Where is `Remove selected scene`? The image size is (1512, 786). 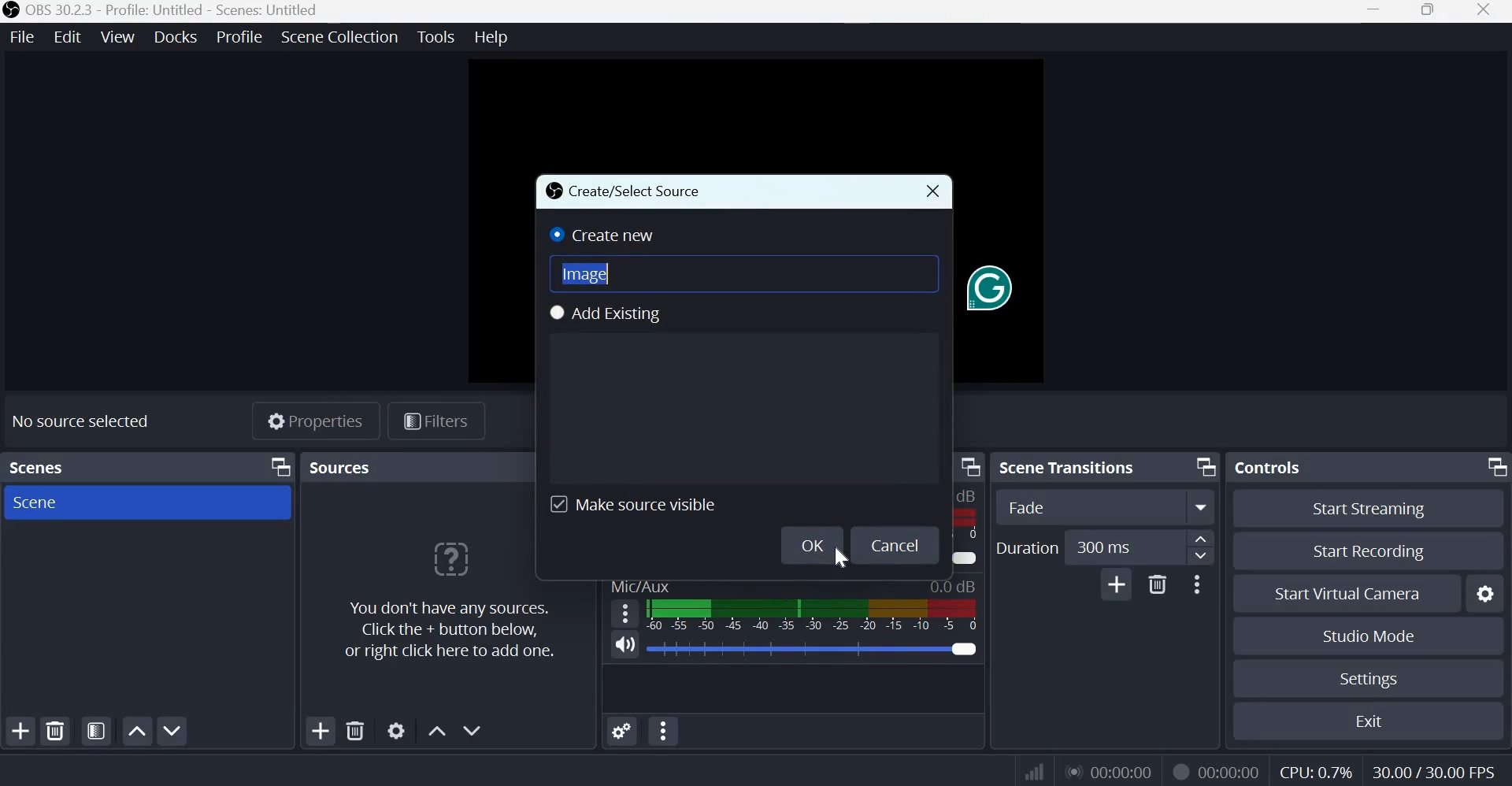
Remove selected scene is located at coordinates (58, 731).